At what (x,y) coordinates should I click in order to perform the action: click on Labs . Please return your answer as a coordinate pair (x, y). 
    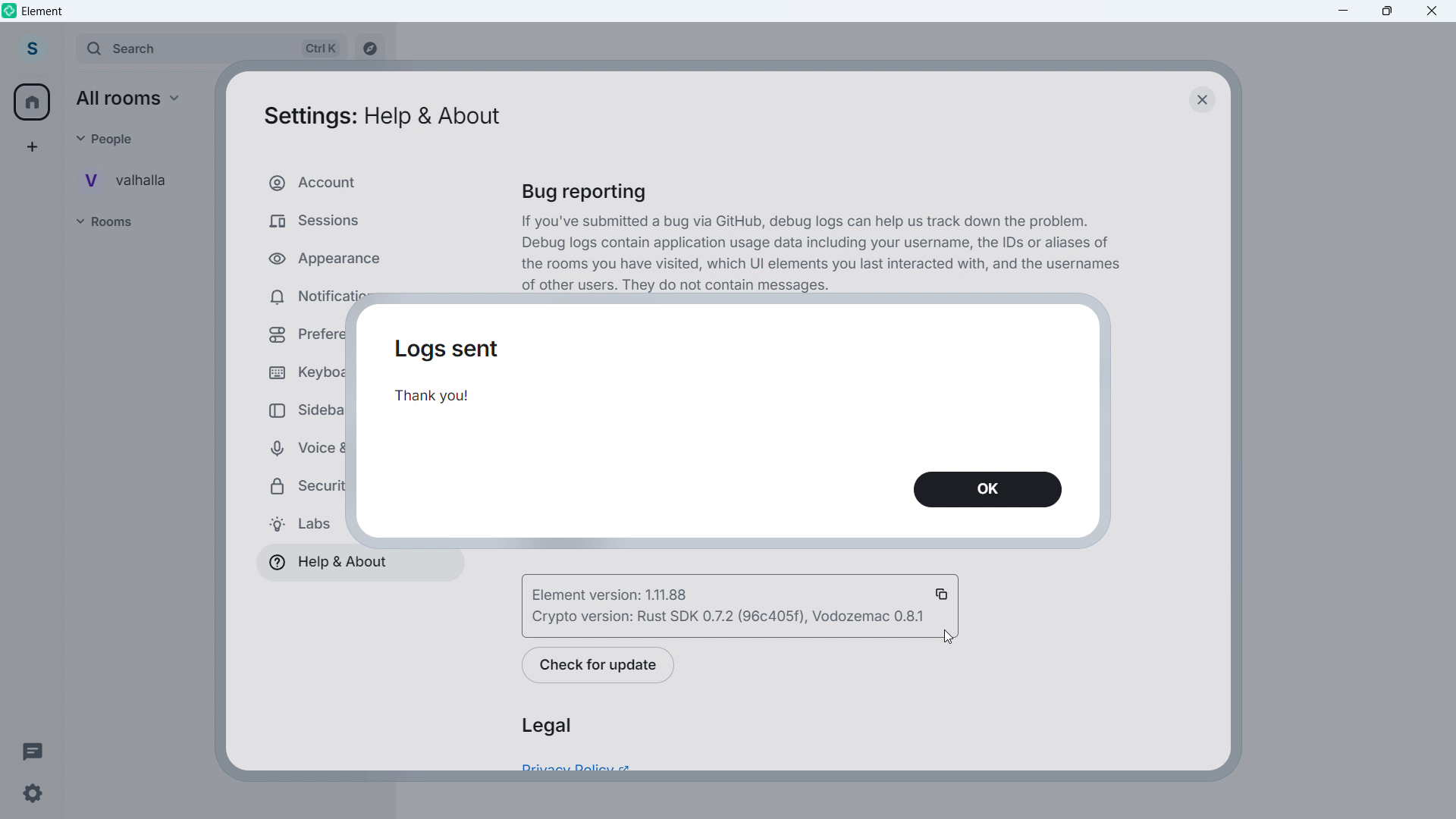
    Looking at the image, I should click on (299, 525).